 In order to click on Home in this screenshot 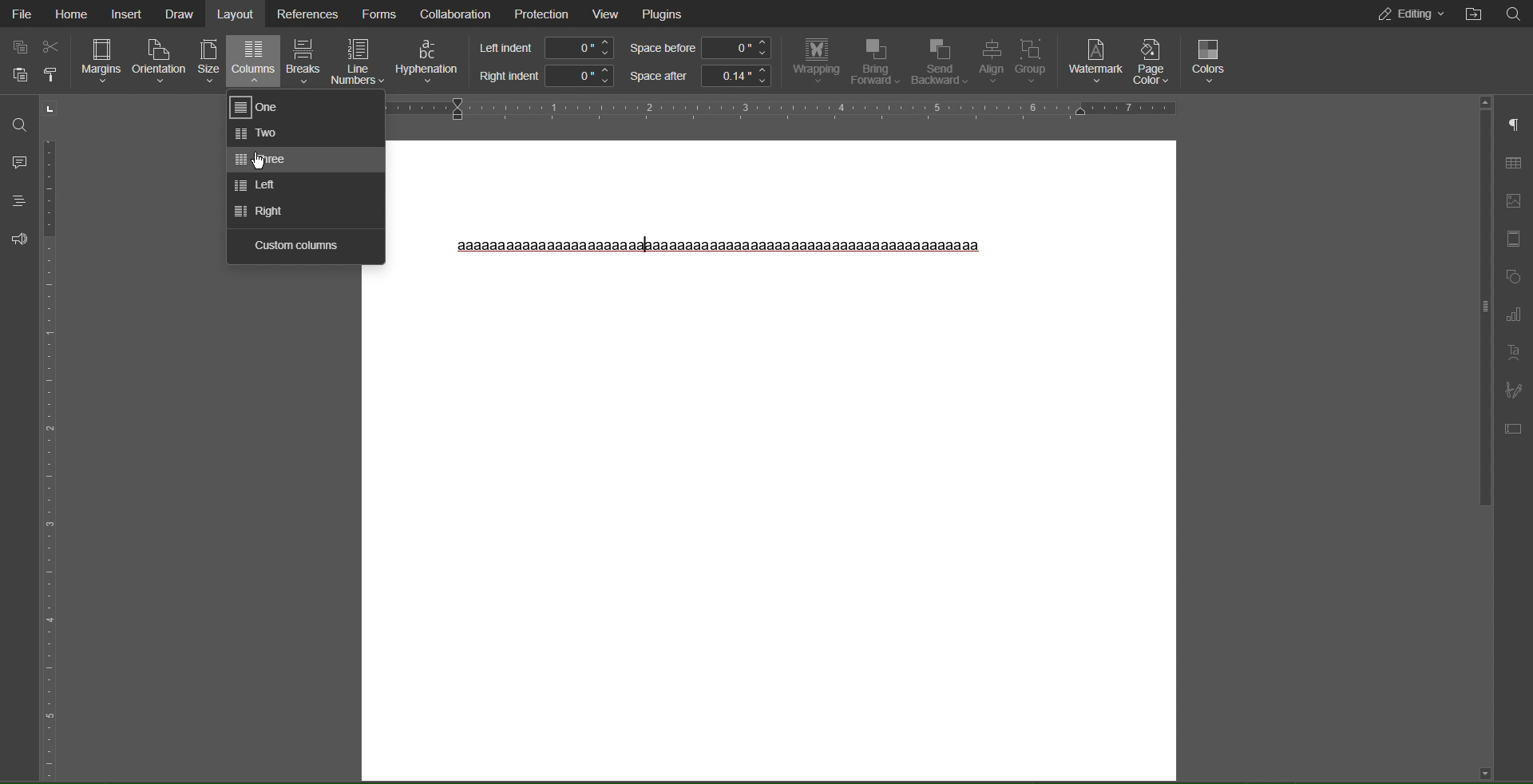, I will do `click(72, 14)`.